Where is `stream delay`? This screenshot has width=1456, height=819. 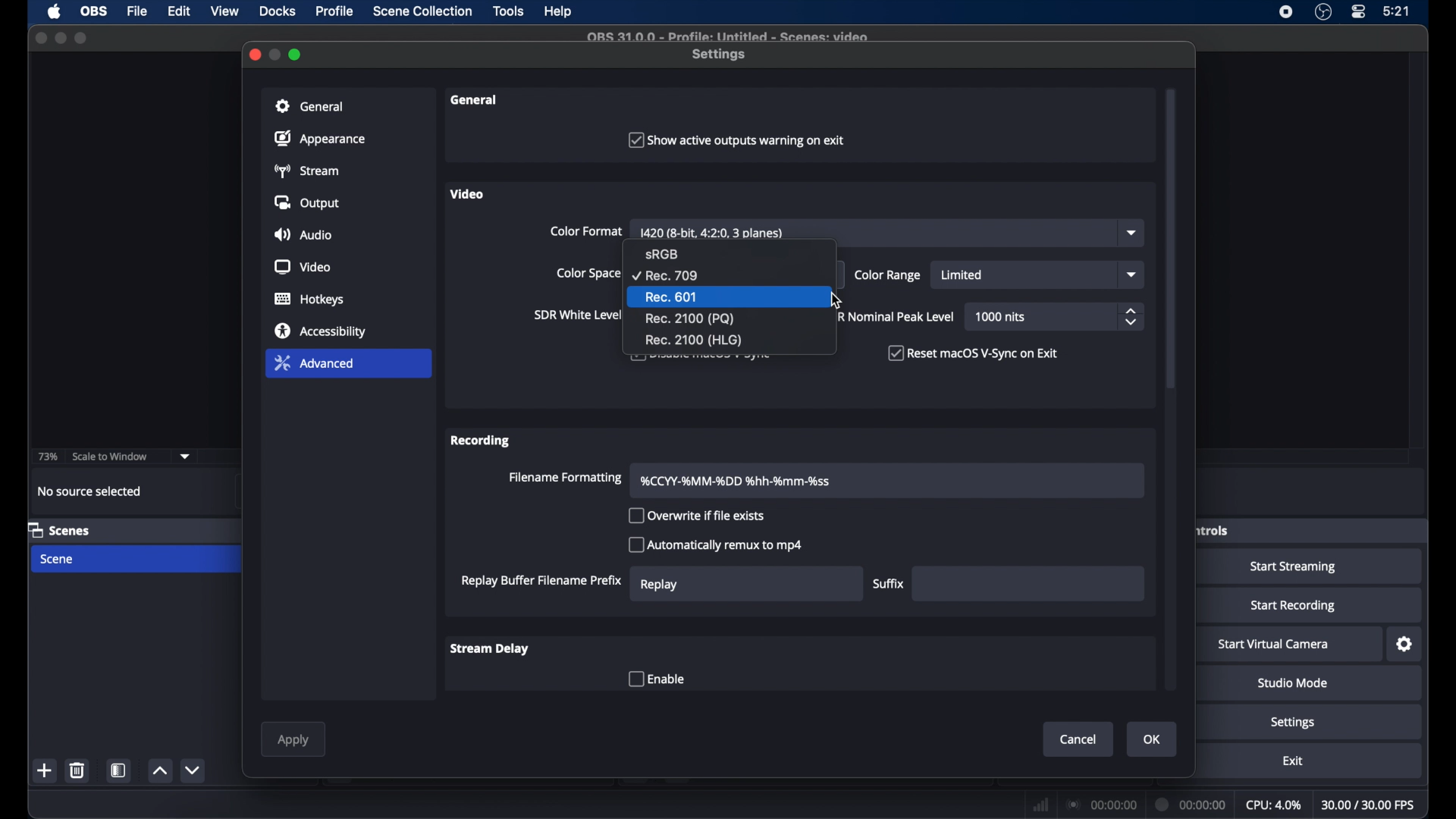
stream delay is located at coordinates (490, 649).